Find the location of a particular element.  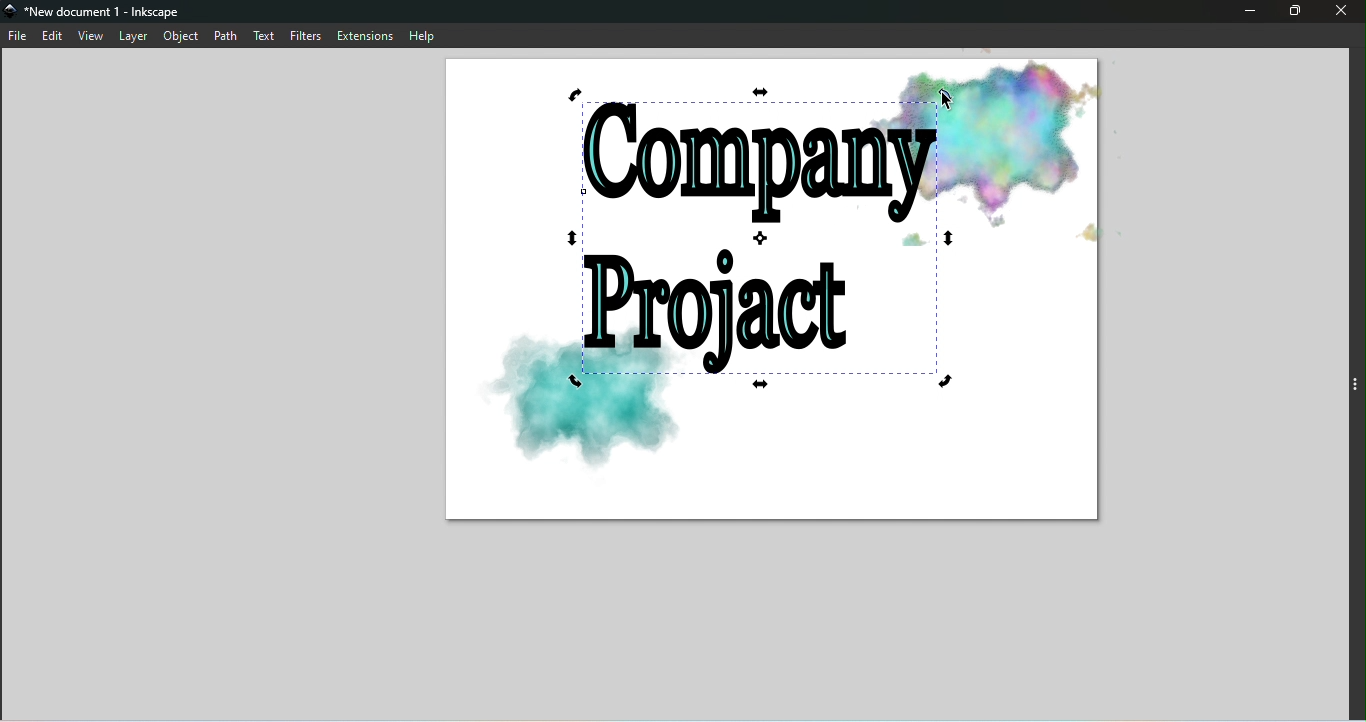

Object is located at coordinates (181, 37).